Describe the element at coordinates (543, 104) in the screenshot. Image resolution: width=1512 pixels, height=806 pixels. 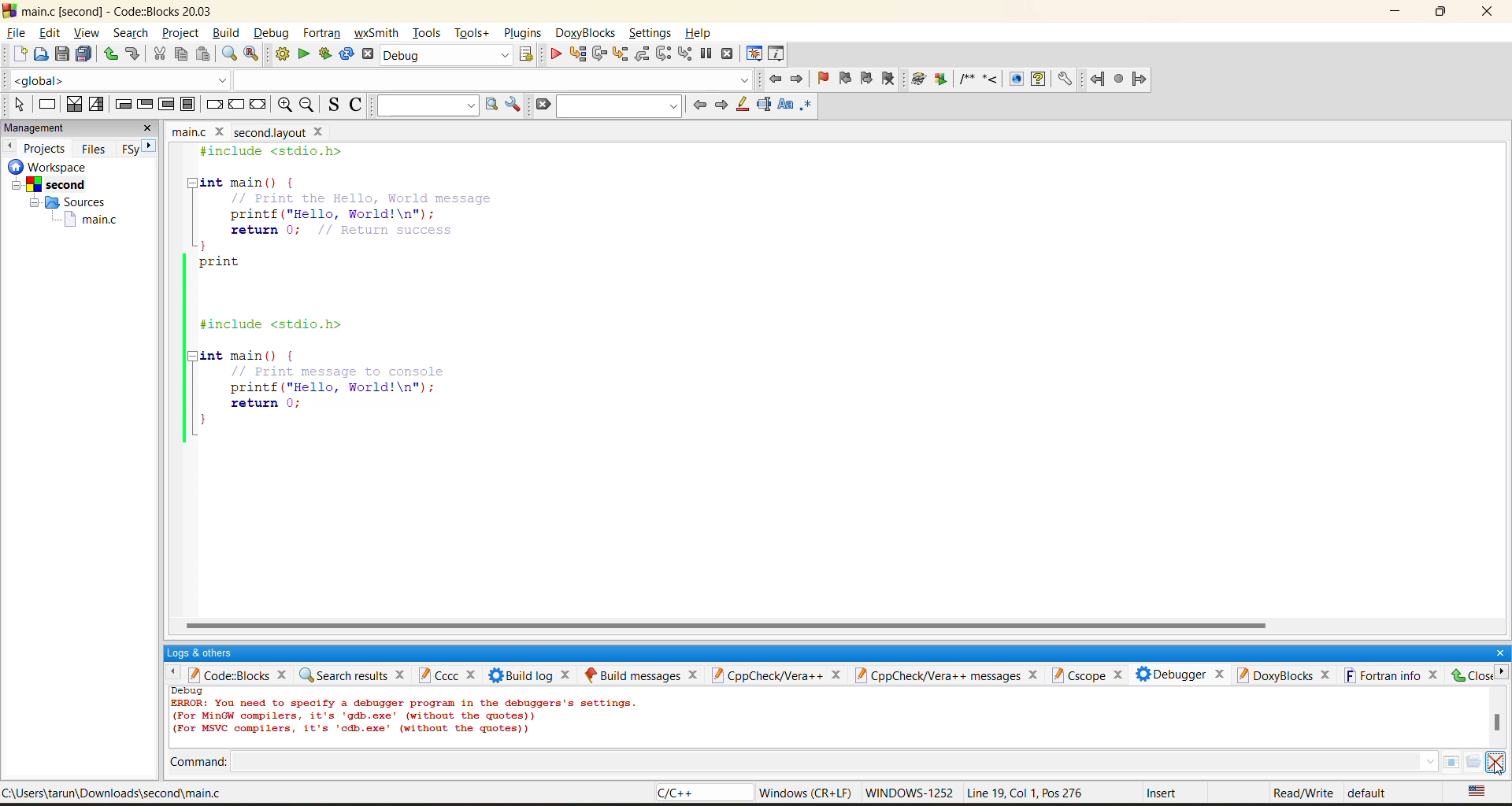
I see `clear` at that location.